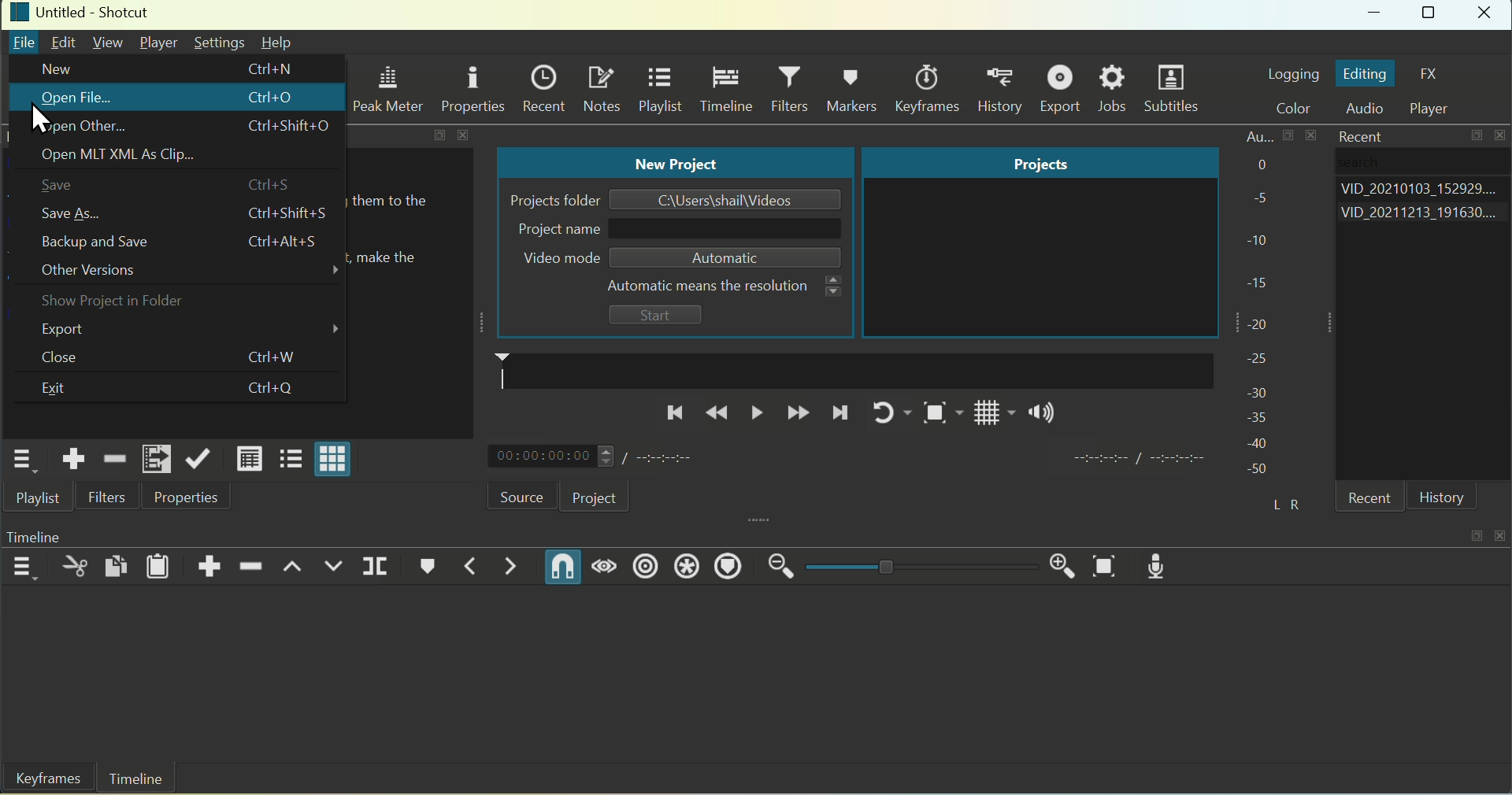 This screenshot has height=795, width=1512. Describe the element at coordinates (135, 157) in the screenshot. I see `Open MLT XML As Clip...` at that location.